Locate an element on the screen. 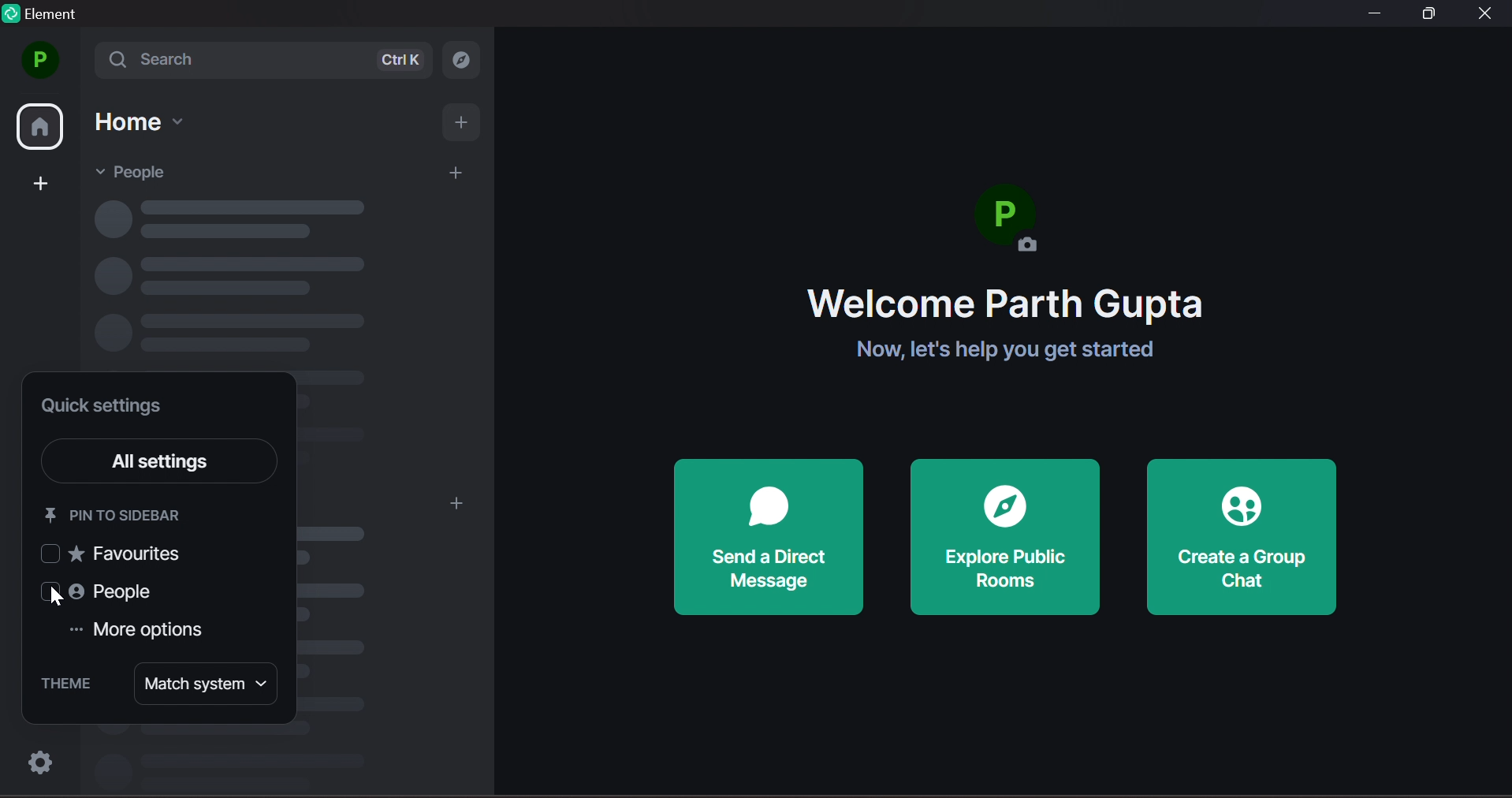 The width and height of the screenshot is (1512, 798). profile is located at coordinates (1015, 226).